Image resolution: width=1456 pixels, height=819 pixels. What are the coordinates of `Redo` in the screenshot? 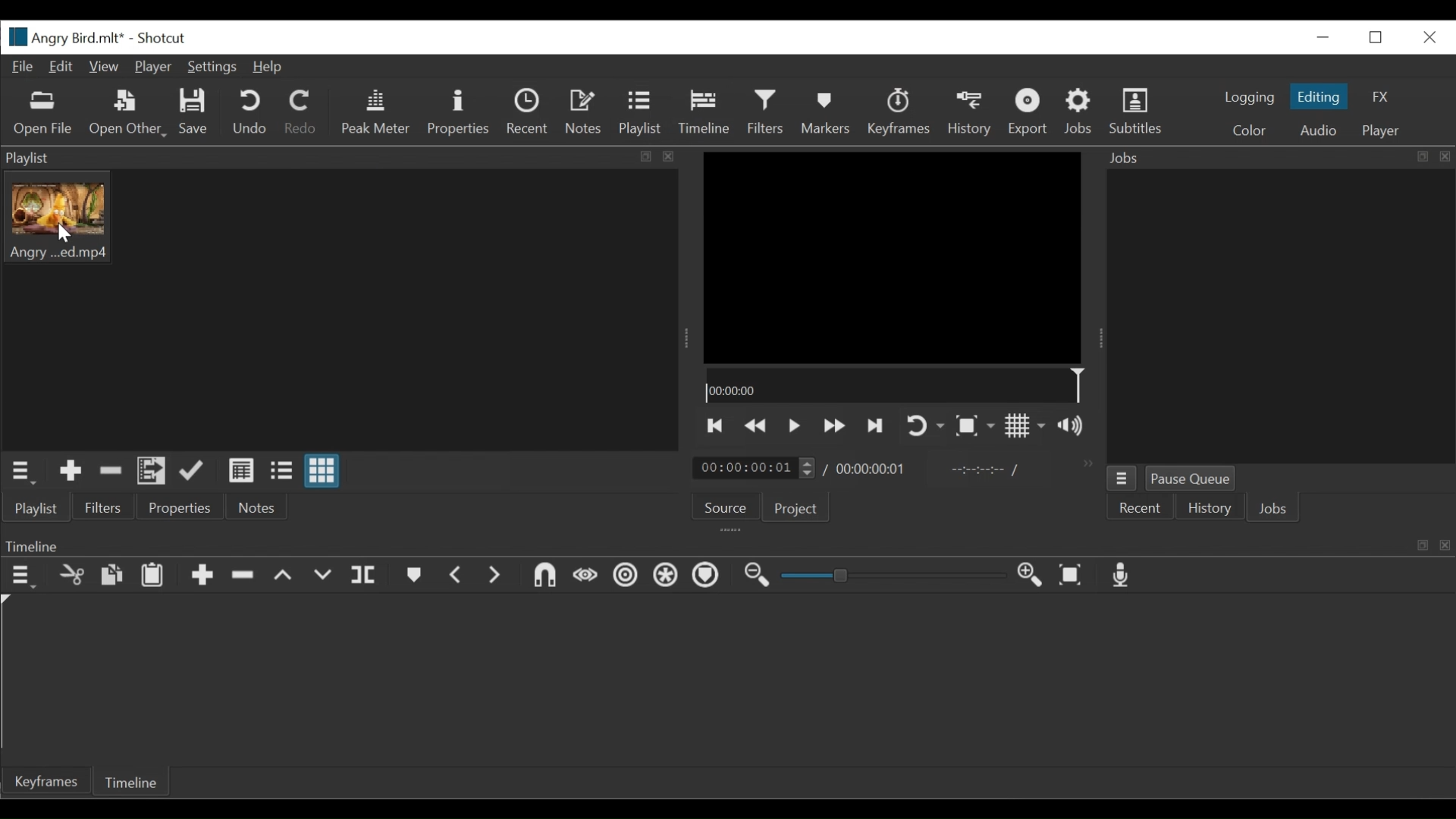 It's located at (300, 111).